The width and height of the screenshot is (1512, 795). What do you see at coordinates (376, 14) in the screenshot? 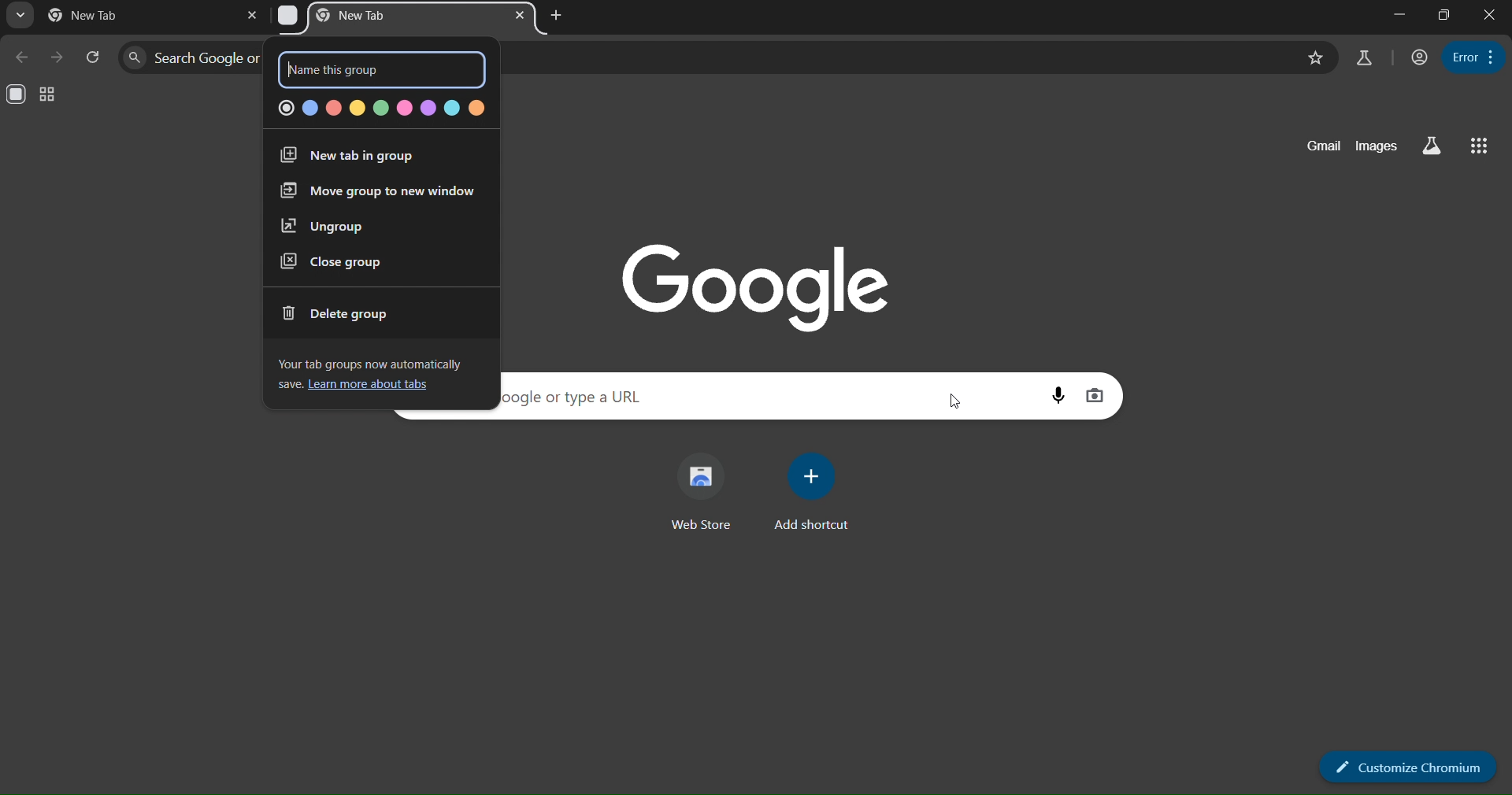
I see `tab group - new tab` at bounding box center [376, 14].